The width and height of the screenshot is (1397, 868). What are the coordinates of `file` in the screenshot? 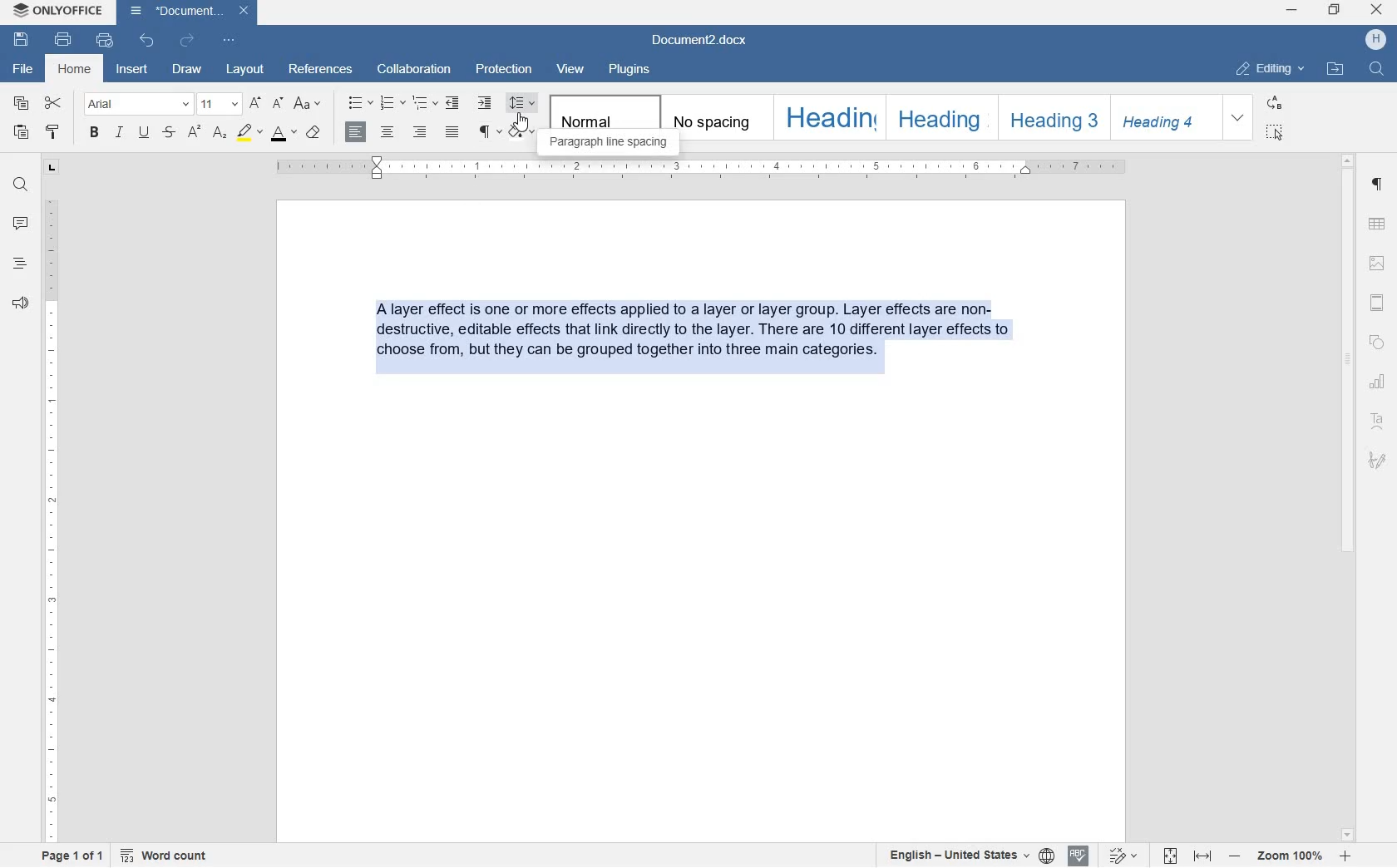 It's located at (23, 69).